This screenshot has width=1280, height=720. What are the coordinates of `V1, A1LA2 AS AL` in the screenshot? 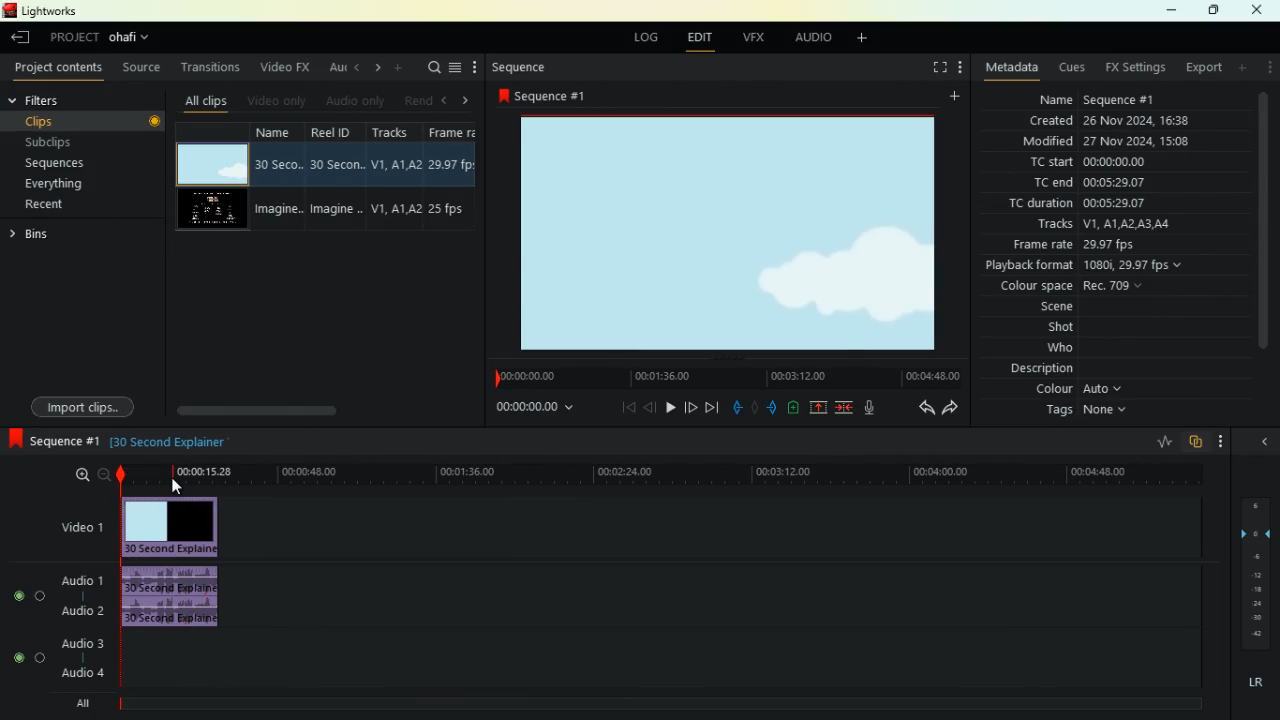 It's located at (1132, 223).